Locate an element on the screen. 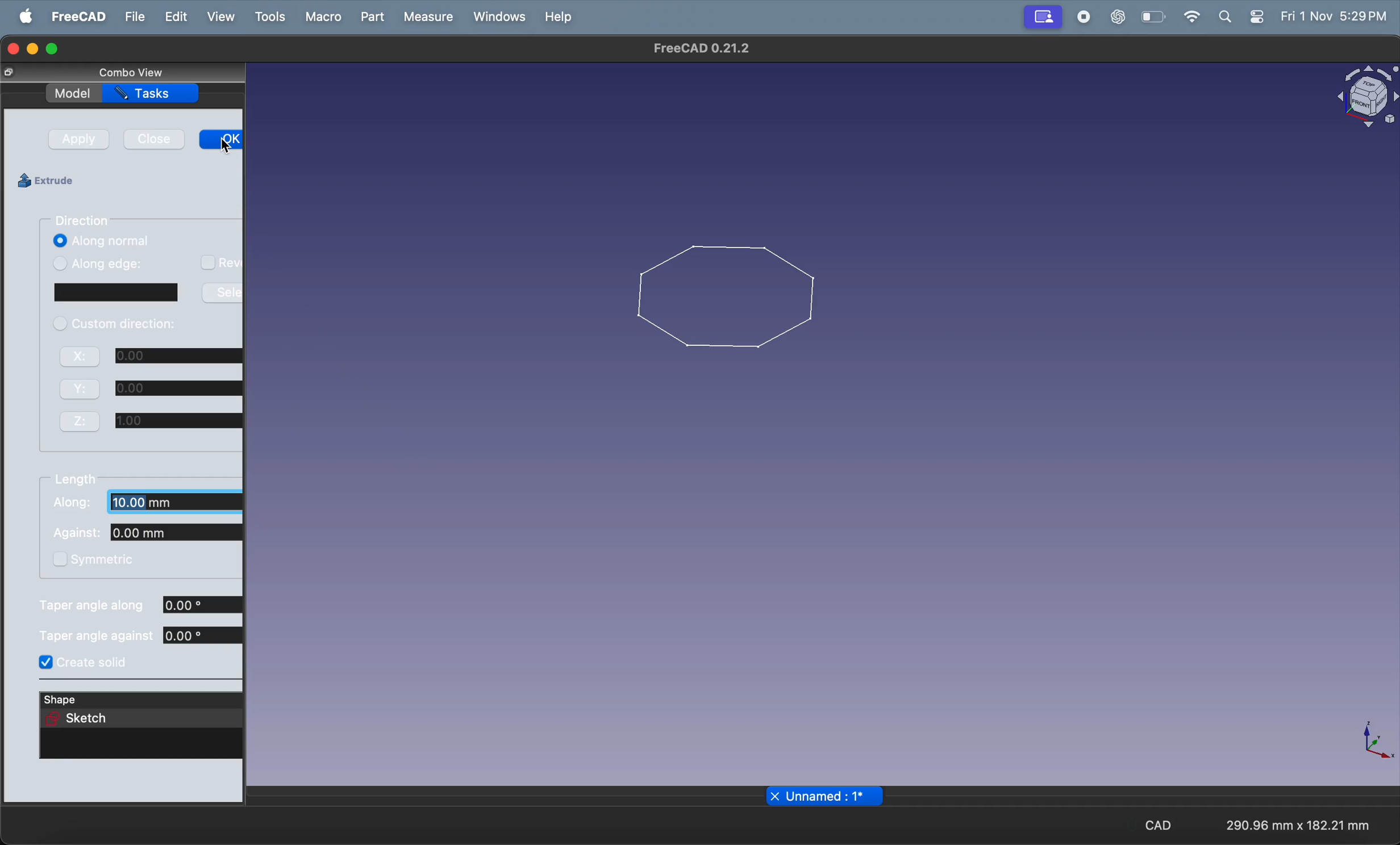 This screenshot has width=1400, height=845. window is located at coordinates (148, 294).